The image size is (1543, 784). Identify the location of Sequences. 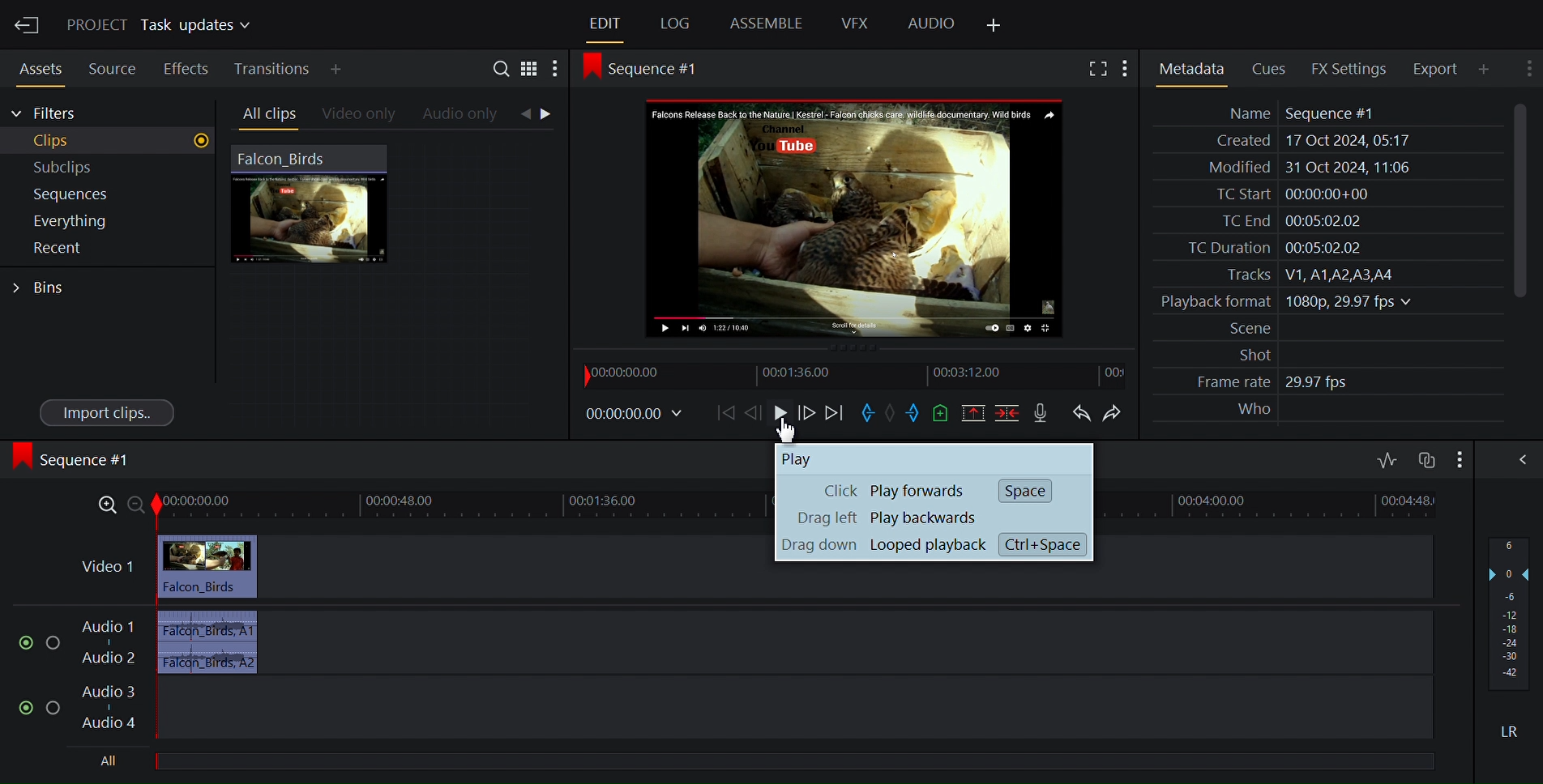
(100, 194).